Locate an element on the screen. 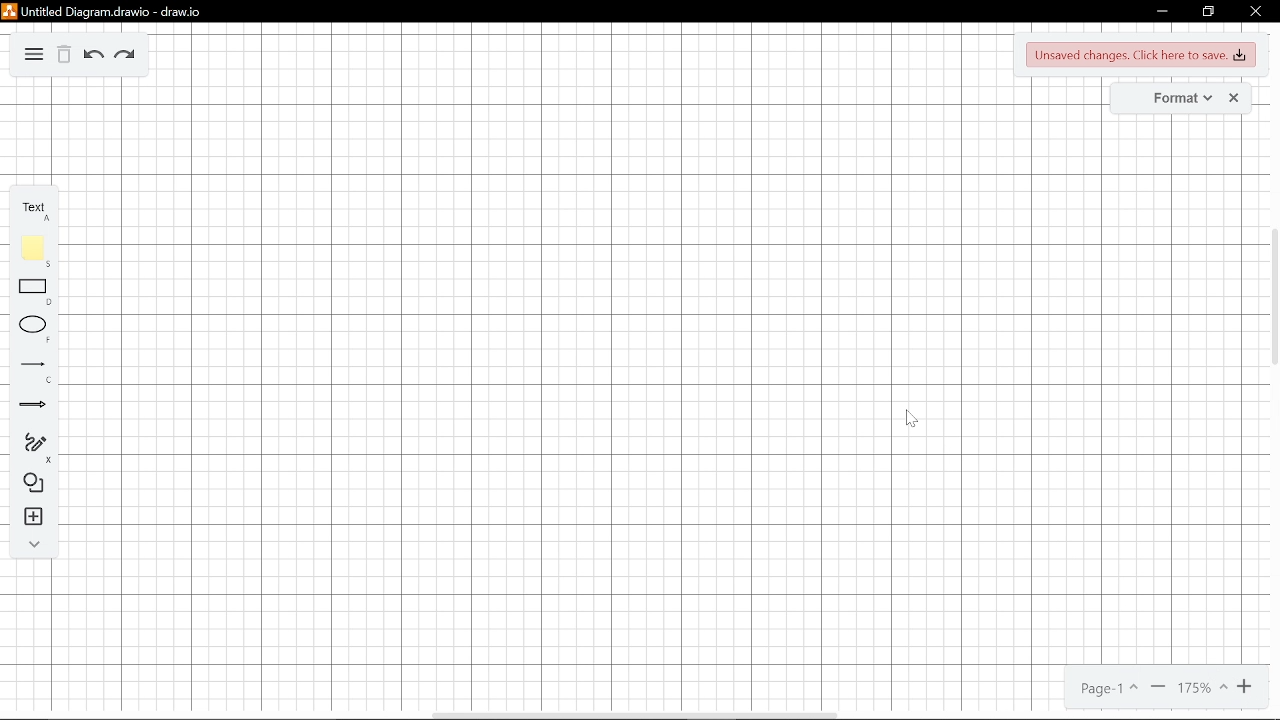 This screenshot has width=1280, height=720. note is located at coordinates (29, 254).